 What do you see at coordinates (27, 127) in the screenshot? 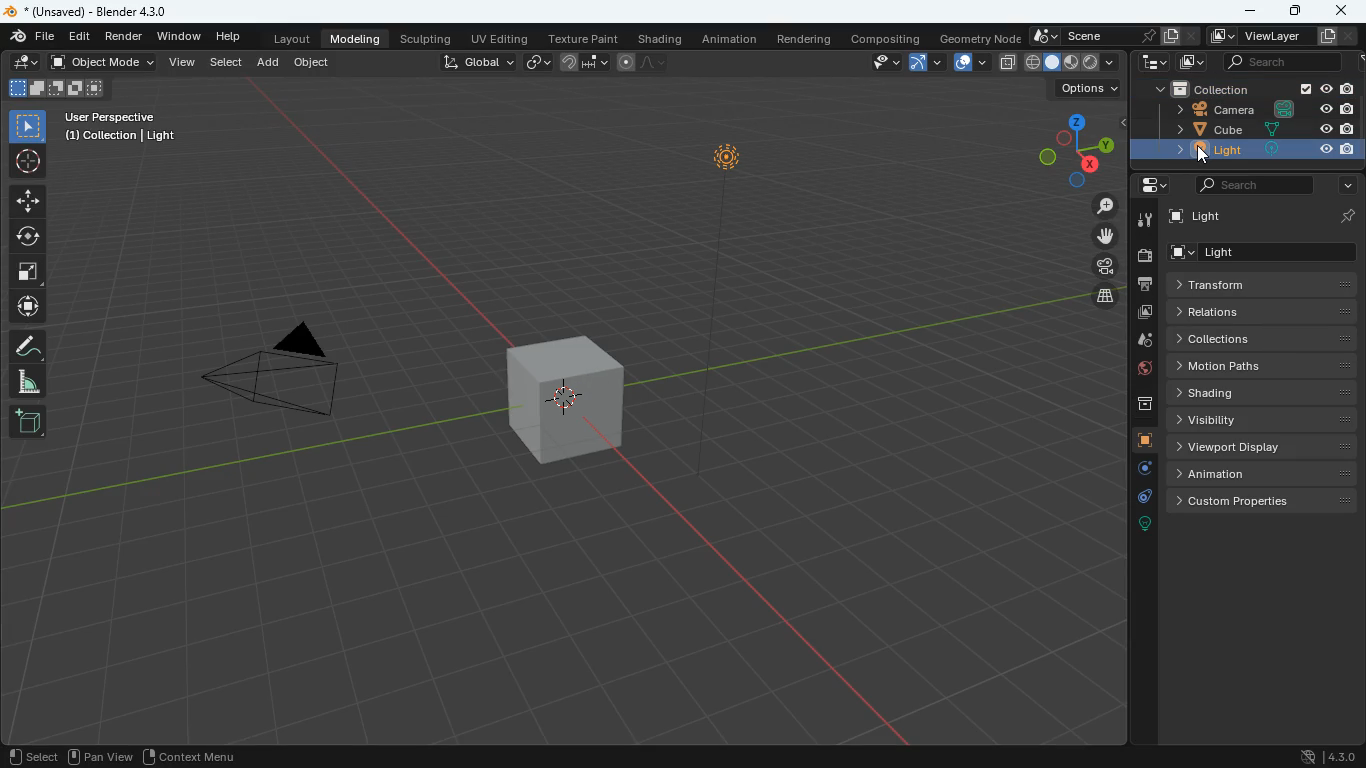
I see `select` at bounding box center [27, 127].